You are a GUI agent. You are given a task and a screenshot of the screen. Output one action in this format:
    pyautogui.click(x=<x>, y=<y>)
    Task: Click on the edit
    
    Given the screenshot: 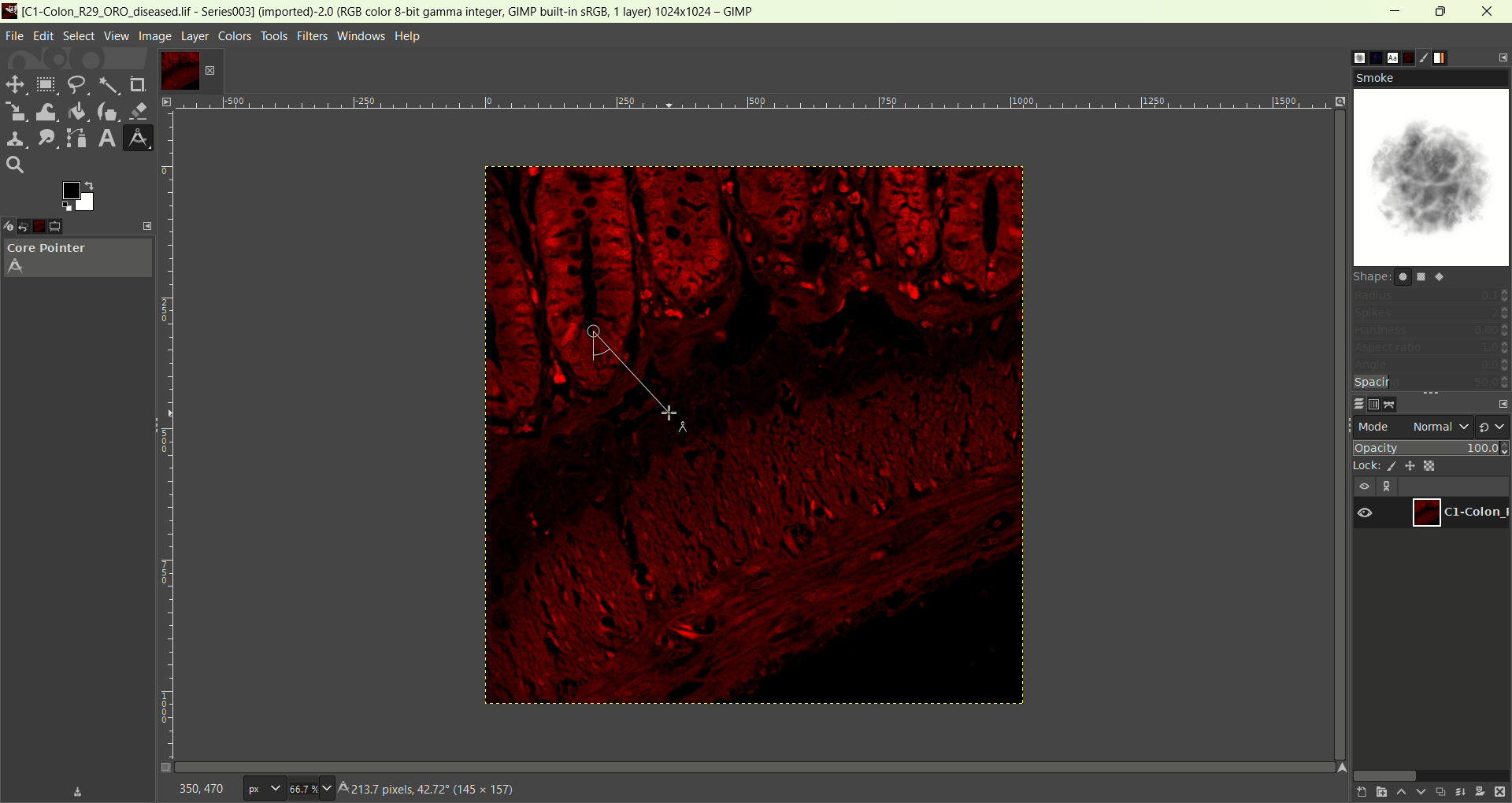 What is the action you would take?
    pyautogui.click(x=44, y=36)
    